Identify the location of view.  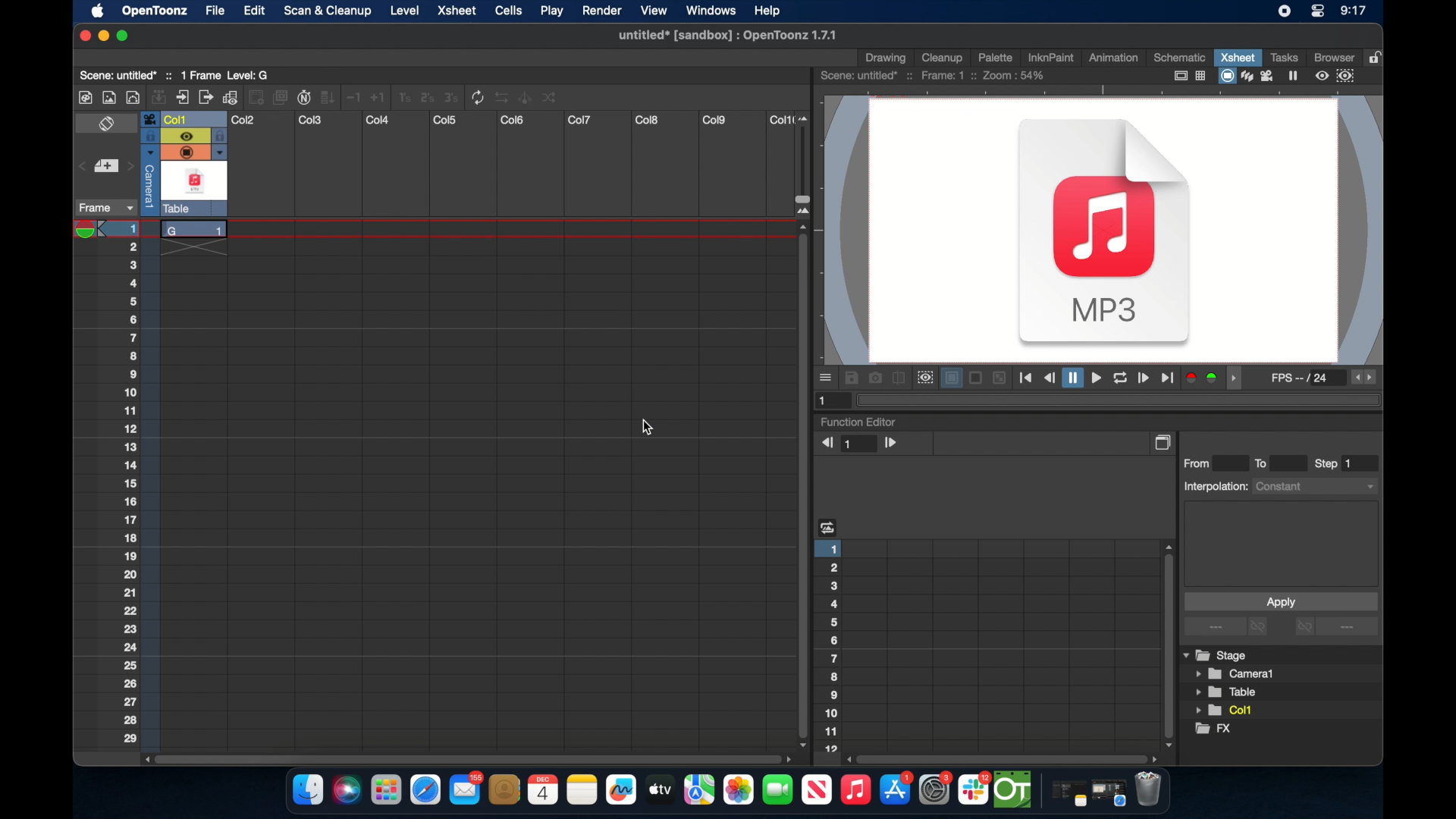
(651, 11).